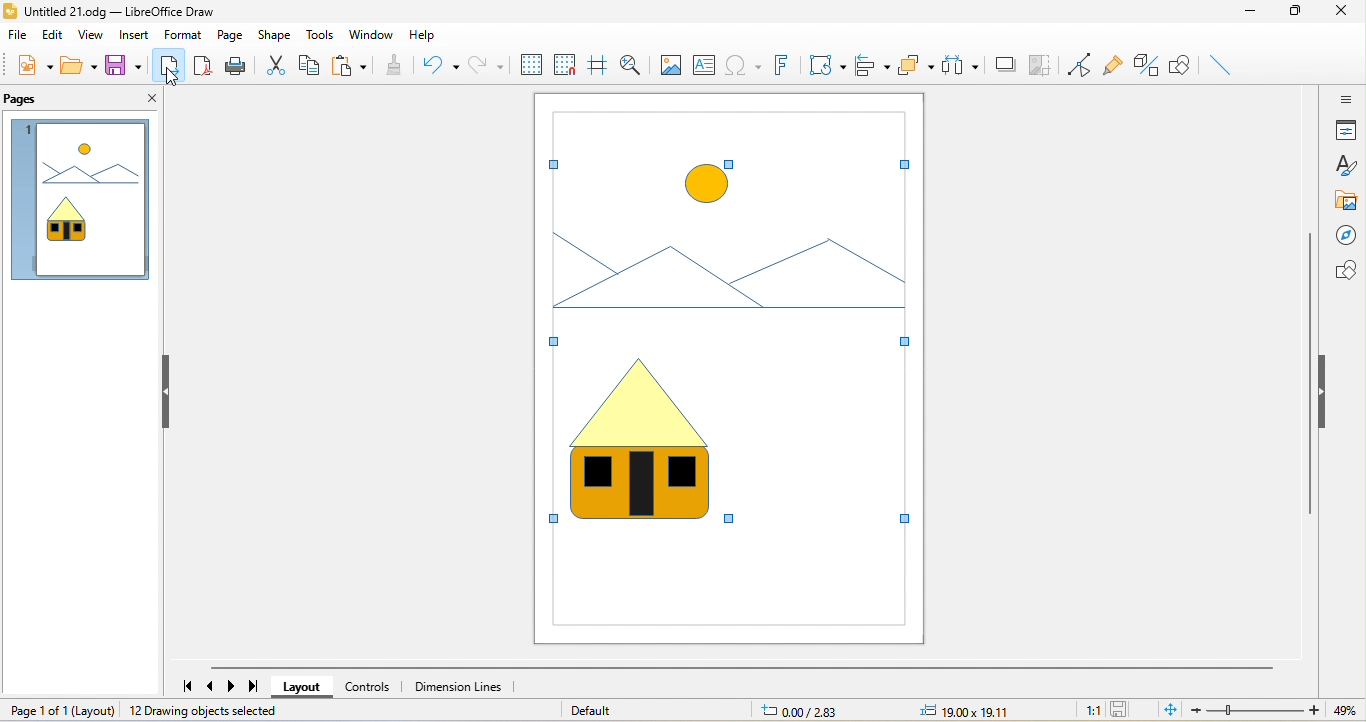 This screenshot has width=1366, height=722. I want to click on last, so click(254, 687).